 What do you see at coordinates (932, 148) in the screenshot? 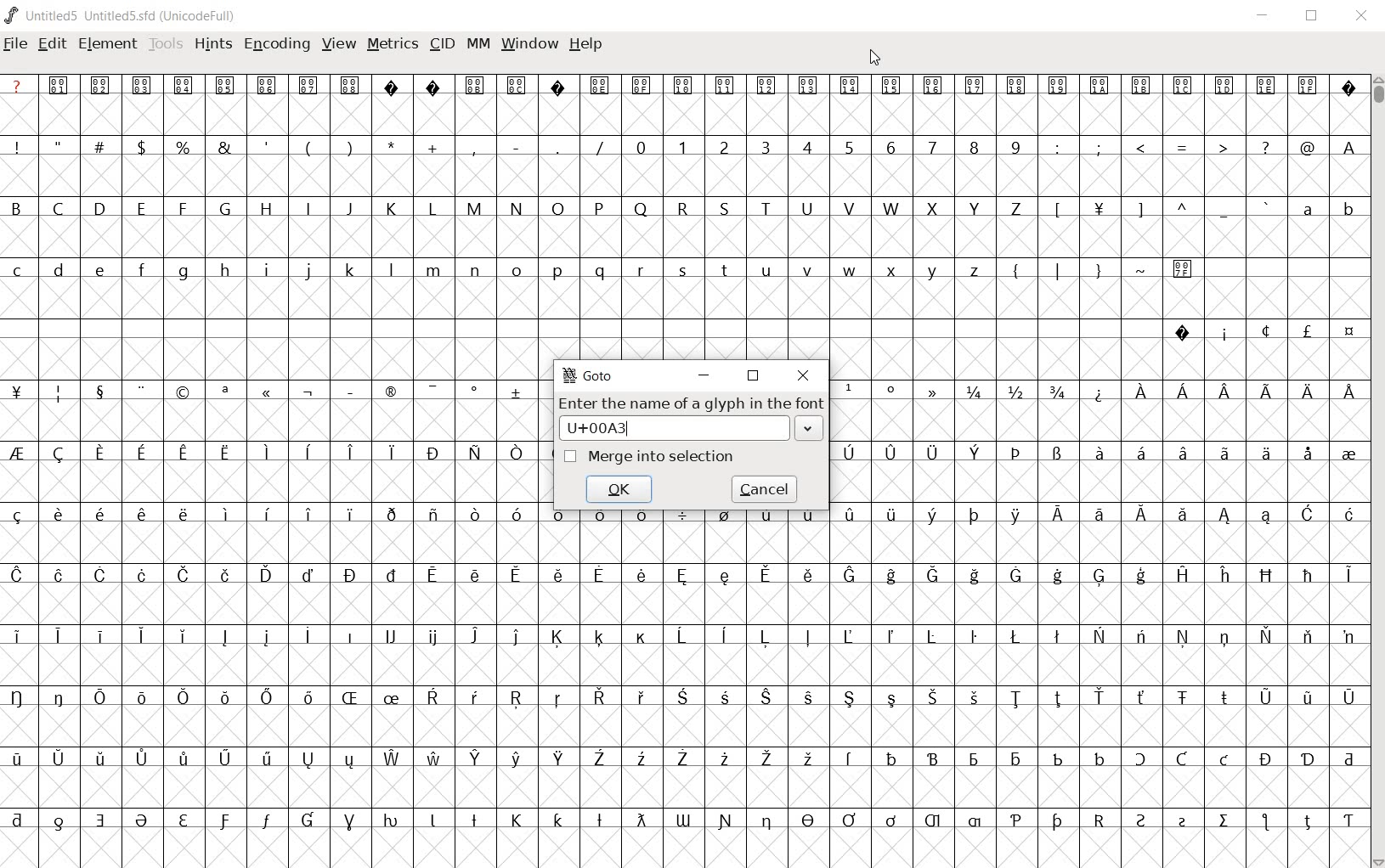
I see `7` at bounding box center [932, 148].